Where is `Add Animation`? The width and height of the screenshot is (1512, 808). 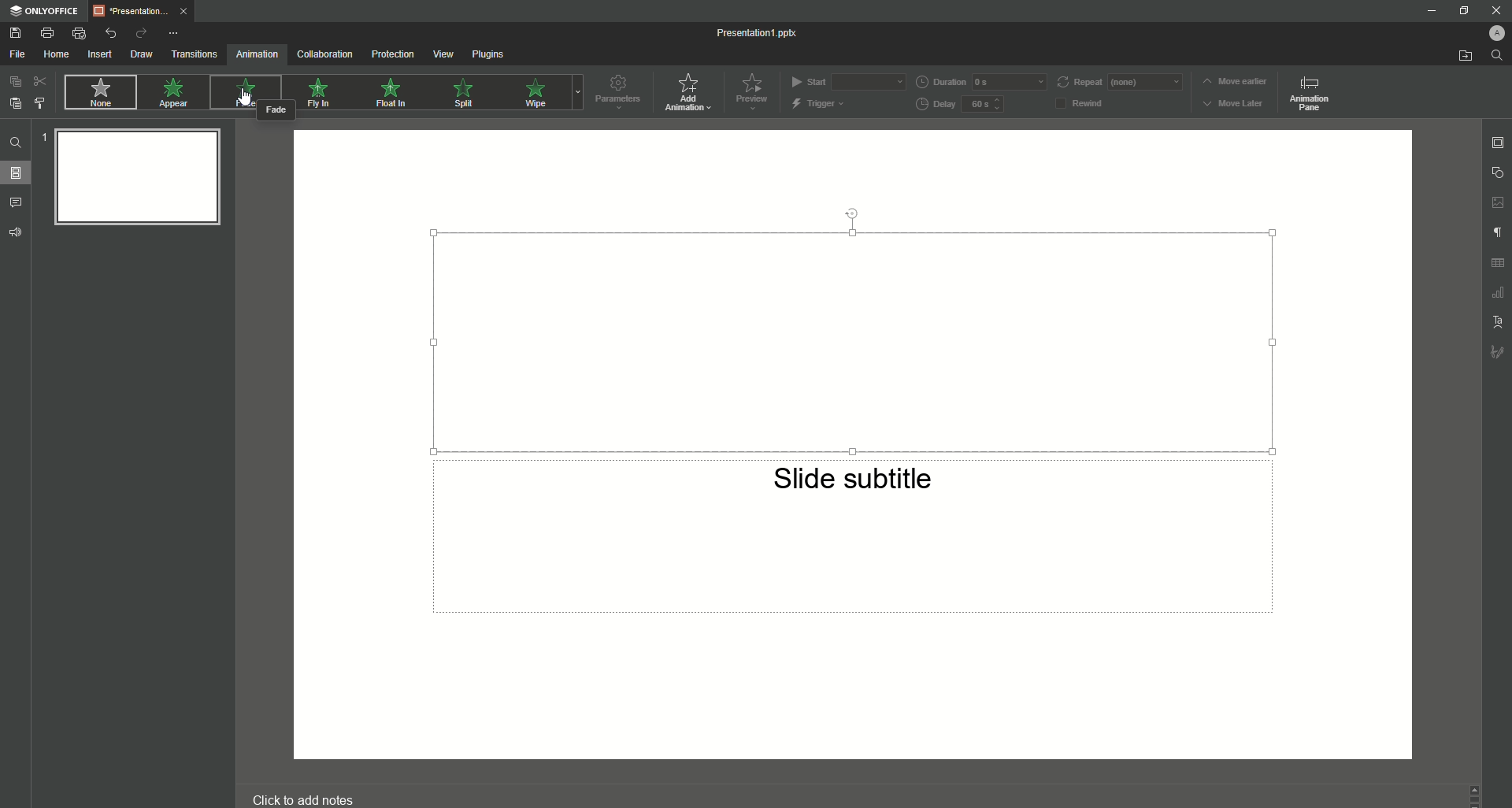 Add Animation is located at coordinates (691, 92).